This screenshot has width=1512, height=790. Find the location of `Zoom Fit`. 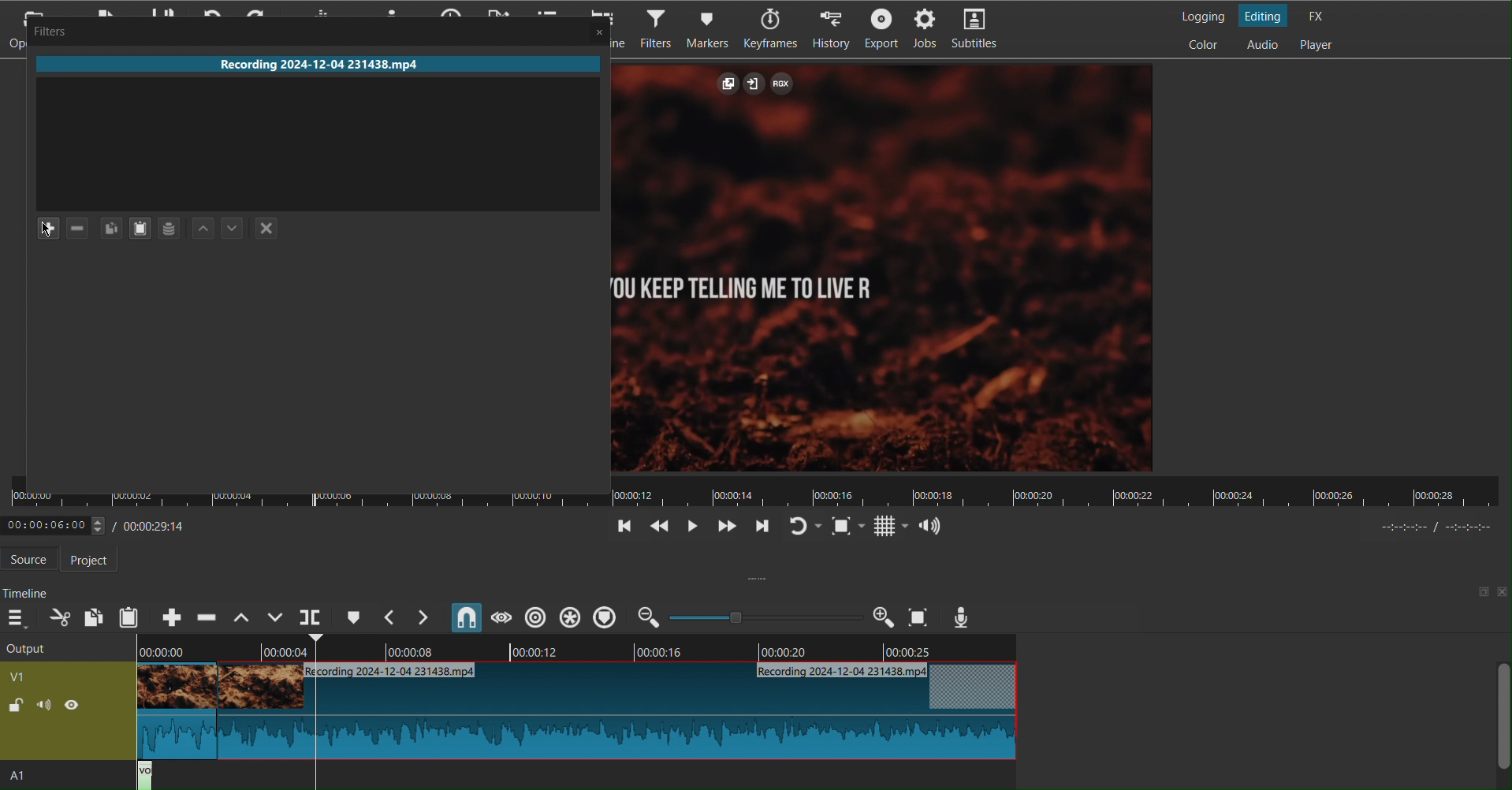

Zoom Fit is located at coordinates (849, 526).